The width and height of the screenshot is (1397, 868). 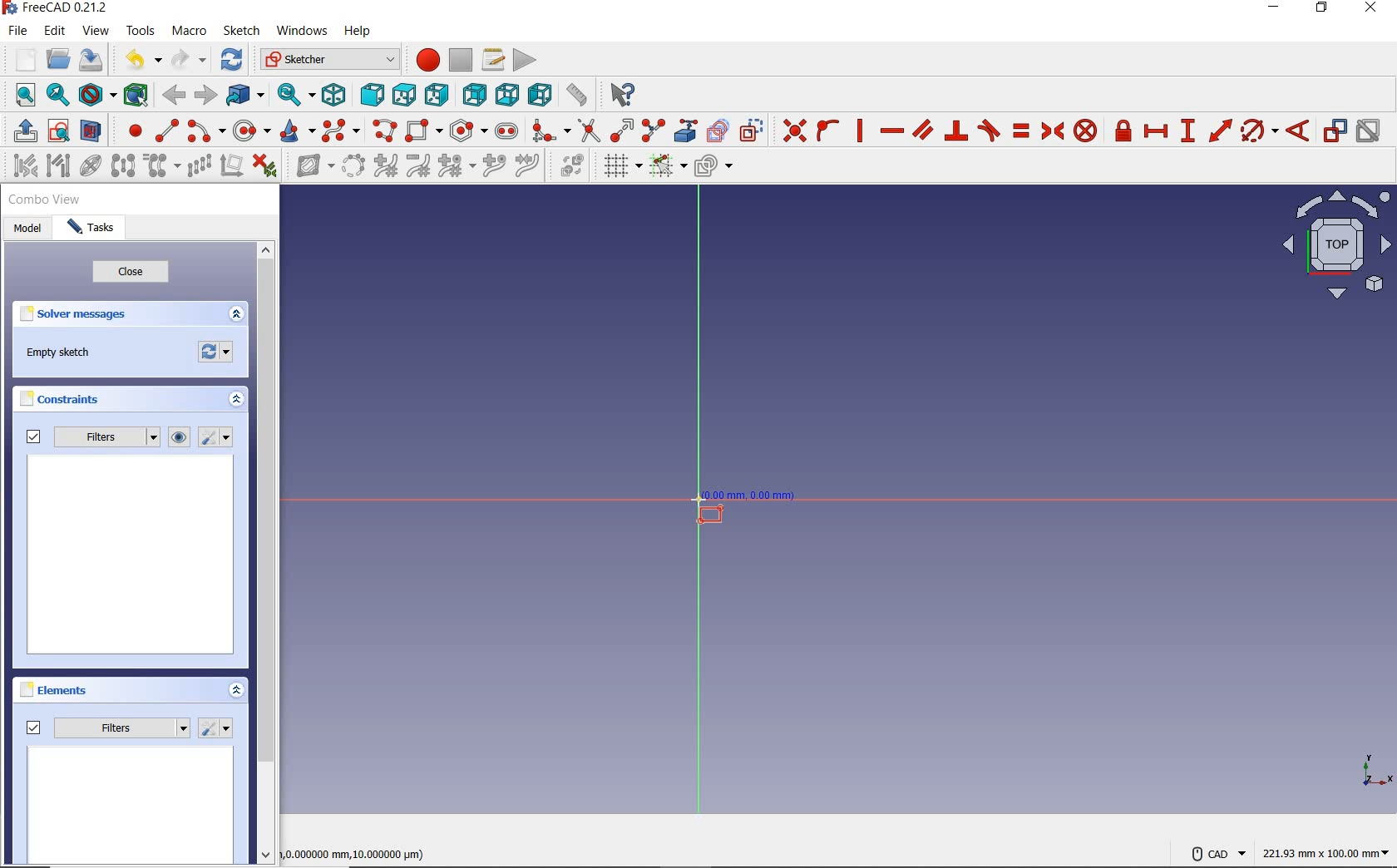 What do you see at coordinates (131, 806) in the screenshot?
I see `preview` at bounding box center [131, 806].